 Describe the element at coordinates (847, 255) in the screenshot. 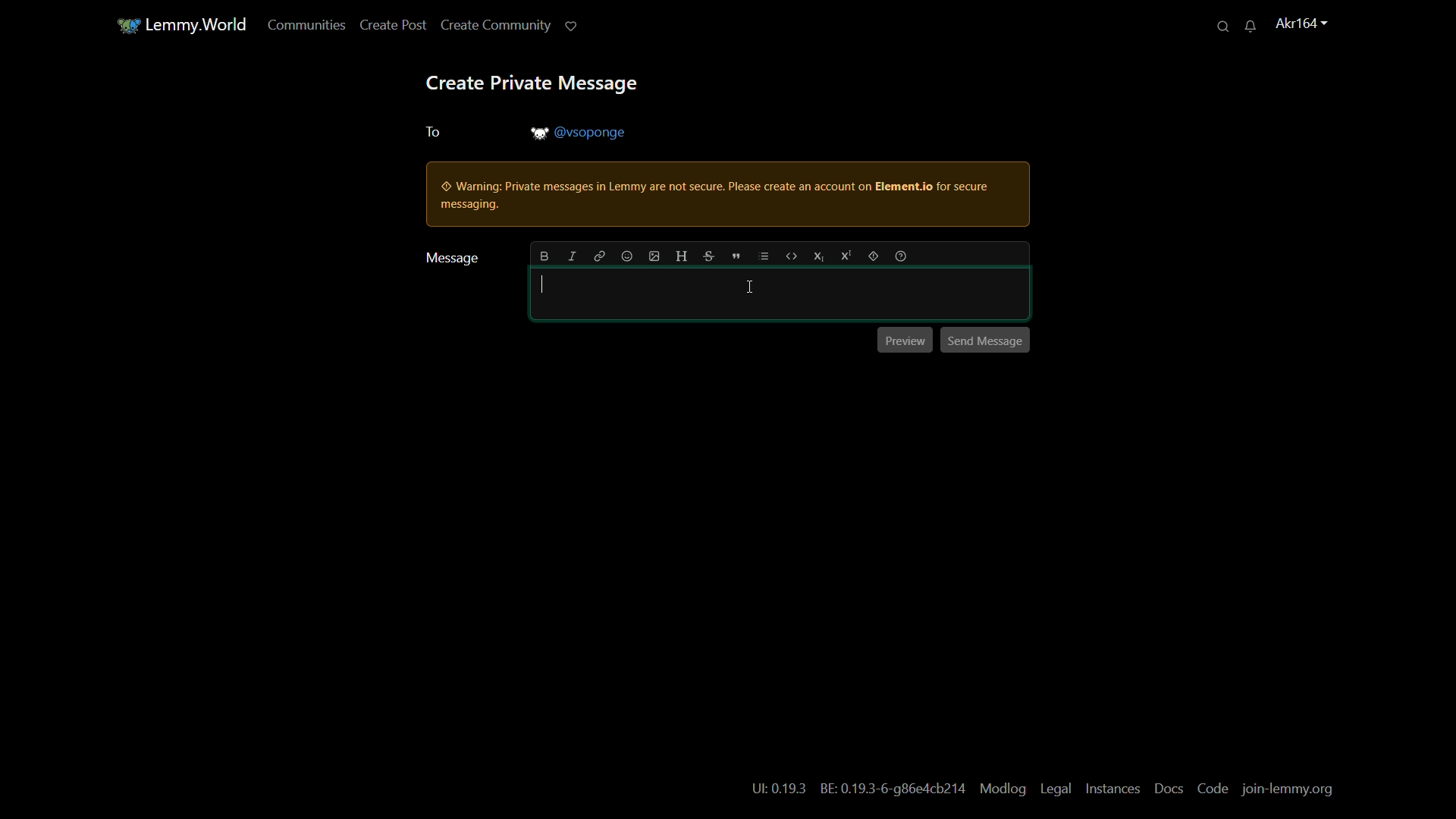

I see `superscript` at that location.